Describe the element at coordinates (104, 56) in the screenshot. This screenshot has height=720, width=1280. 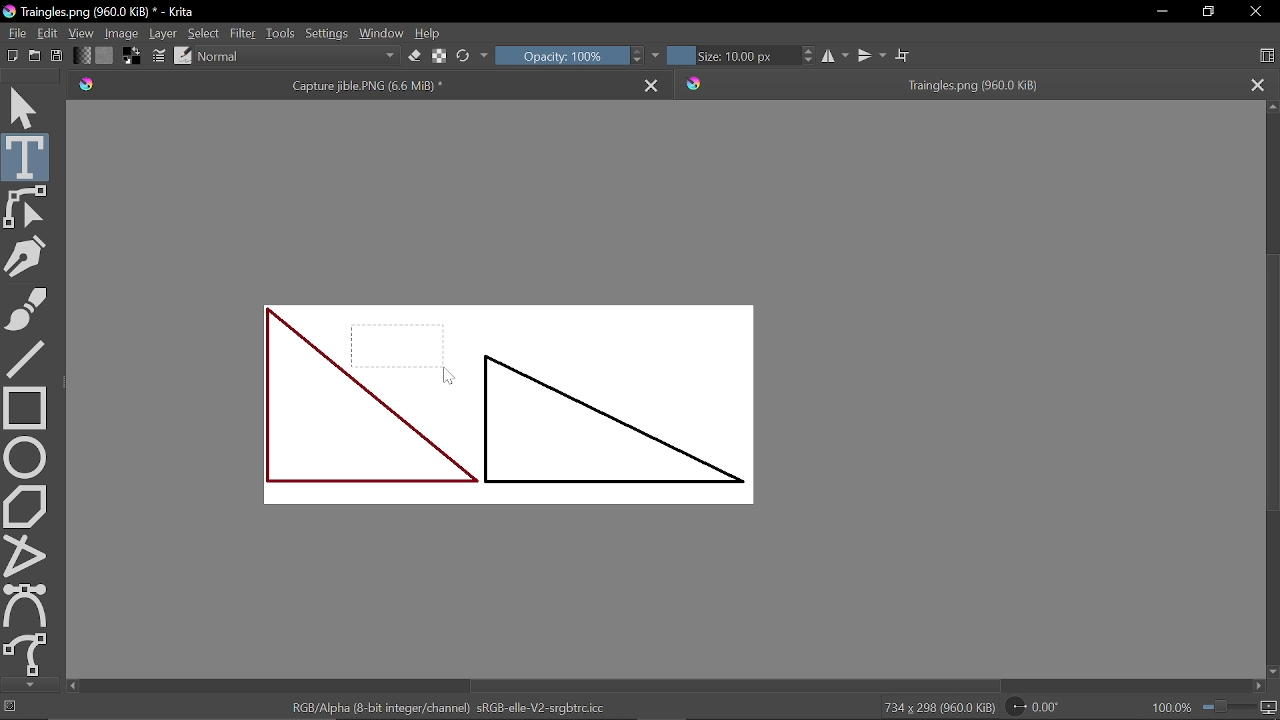
I see `Fill pattern` at that location.